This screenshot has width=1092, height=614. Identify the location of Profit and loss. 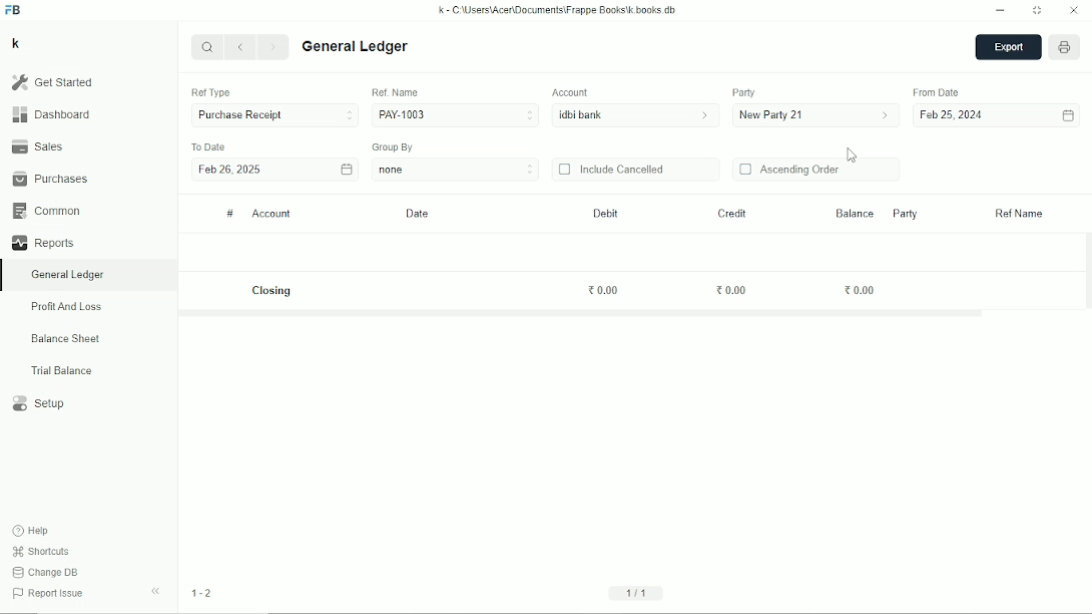
(66, 307).